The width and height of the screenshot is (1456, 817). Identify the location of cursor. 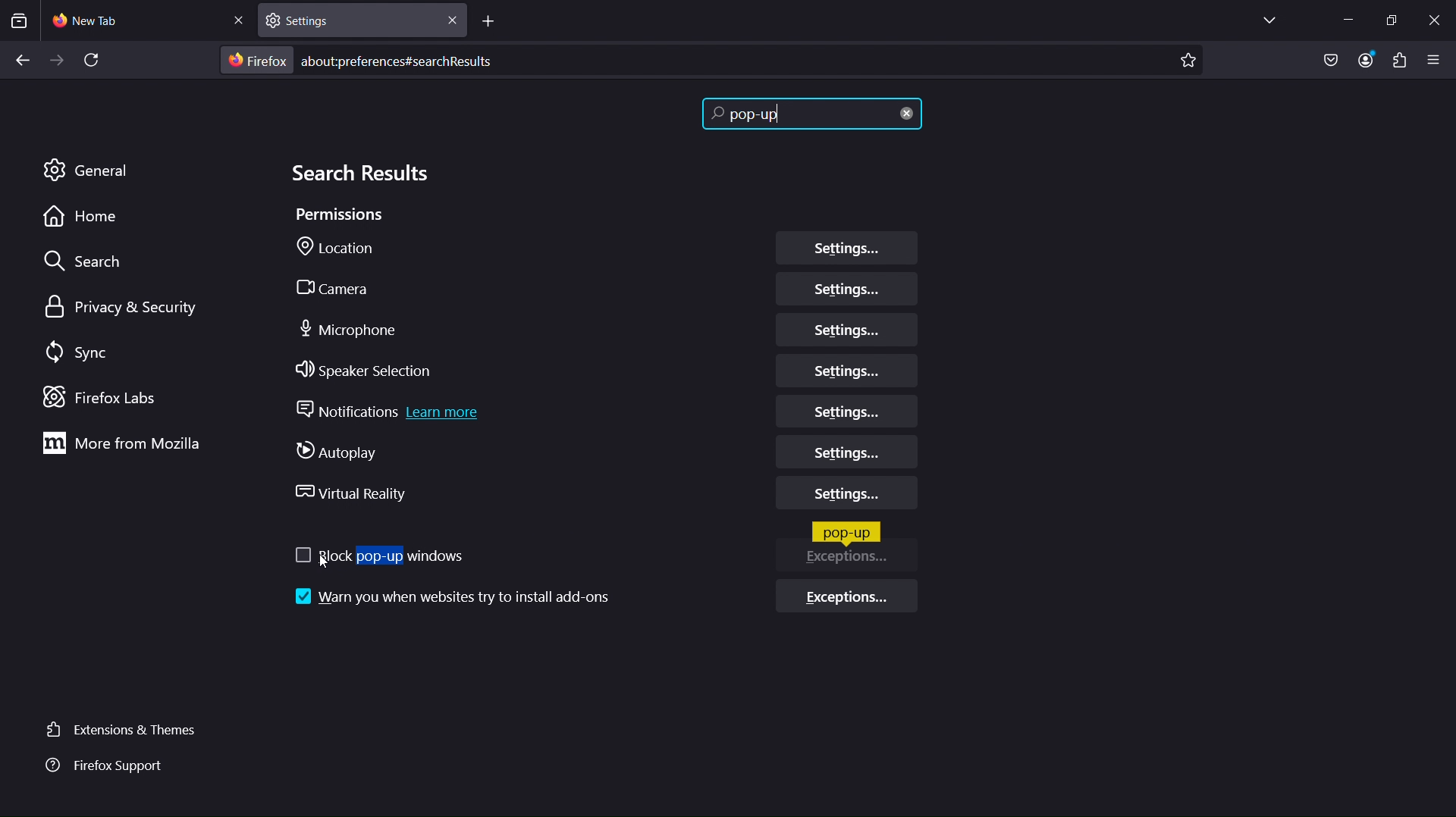
(323, 568).